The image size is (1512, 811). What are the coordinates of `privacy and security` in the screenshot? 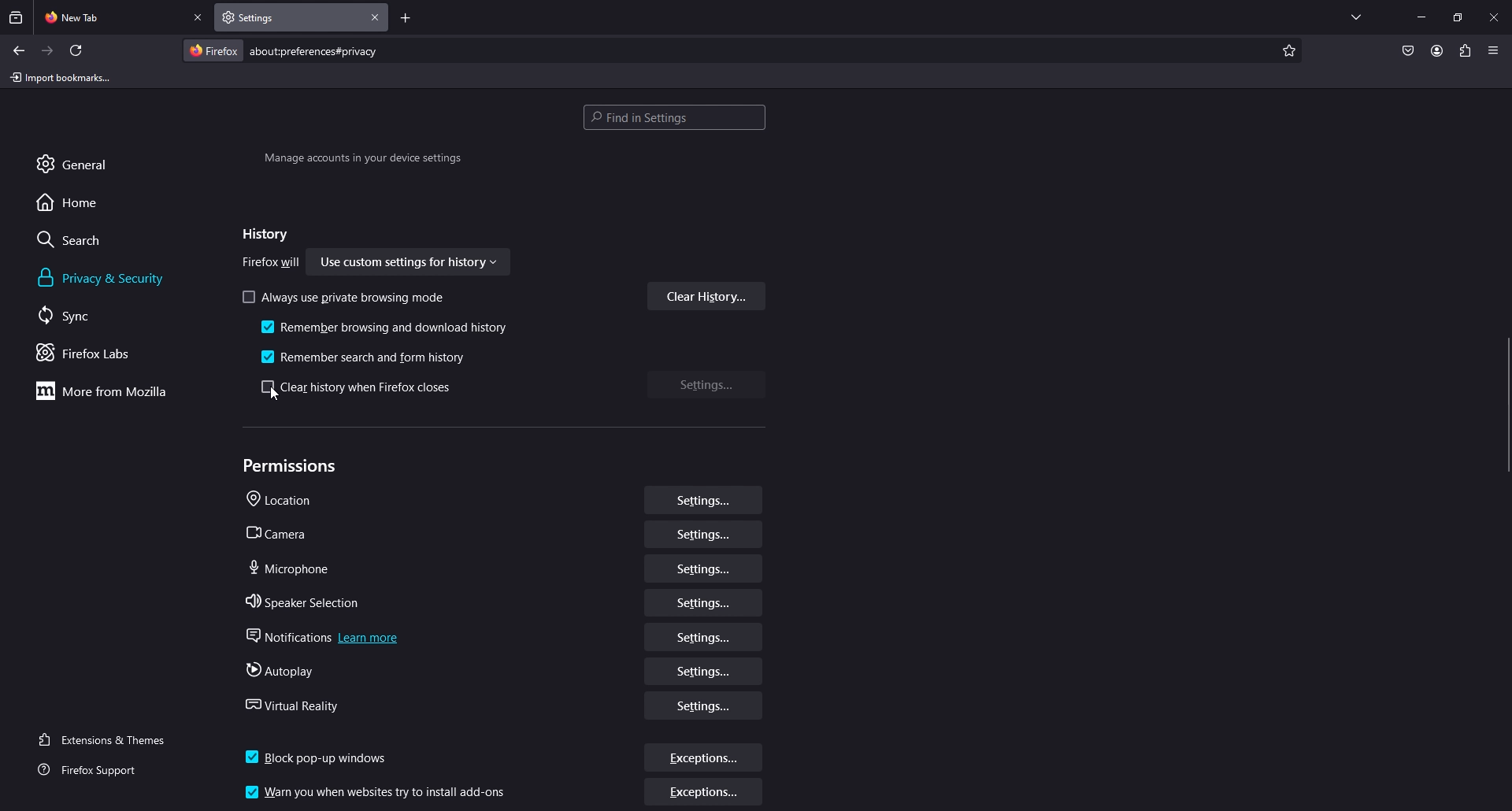 It's located at (105, 278).